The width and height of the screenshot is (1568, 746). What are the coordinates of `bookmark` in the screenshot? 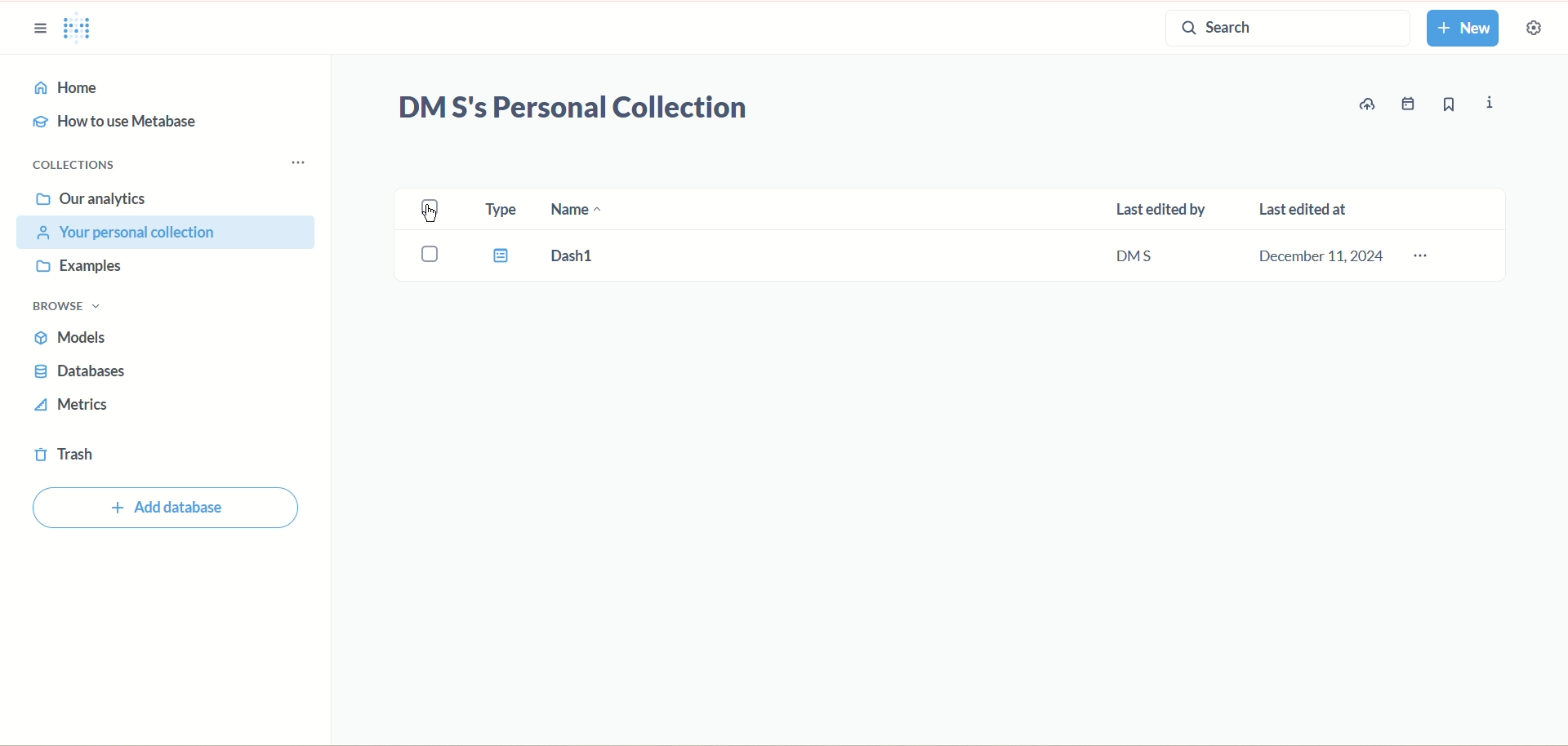 It's located at (1446, 107).